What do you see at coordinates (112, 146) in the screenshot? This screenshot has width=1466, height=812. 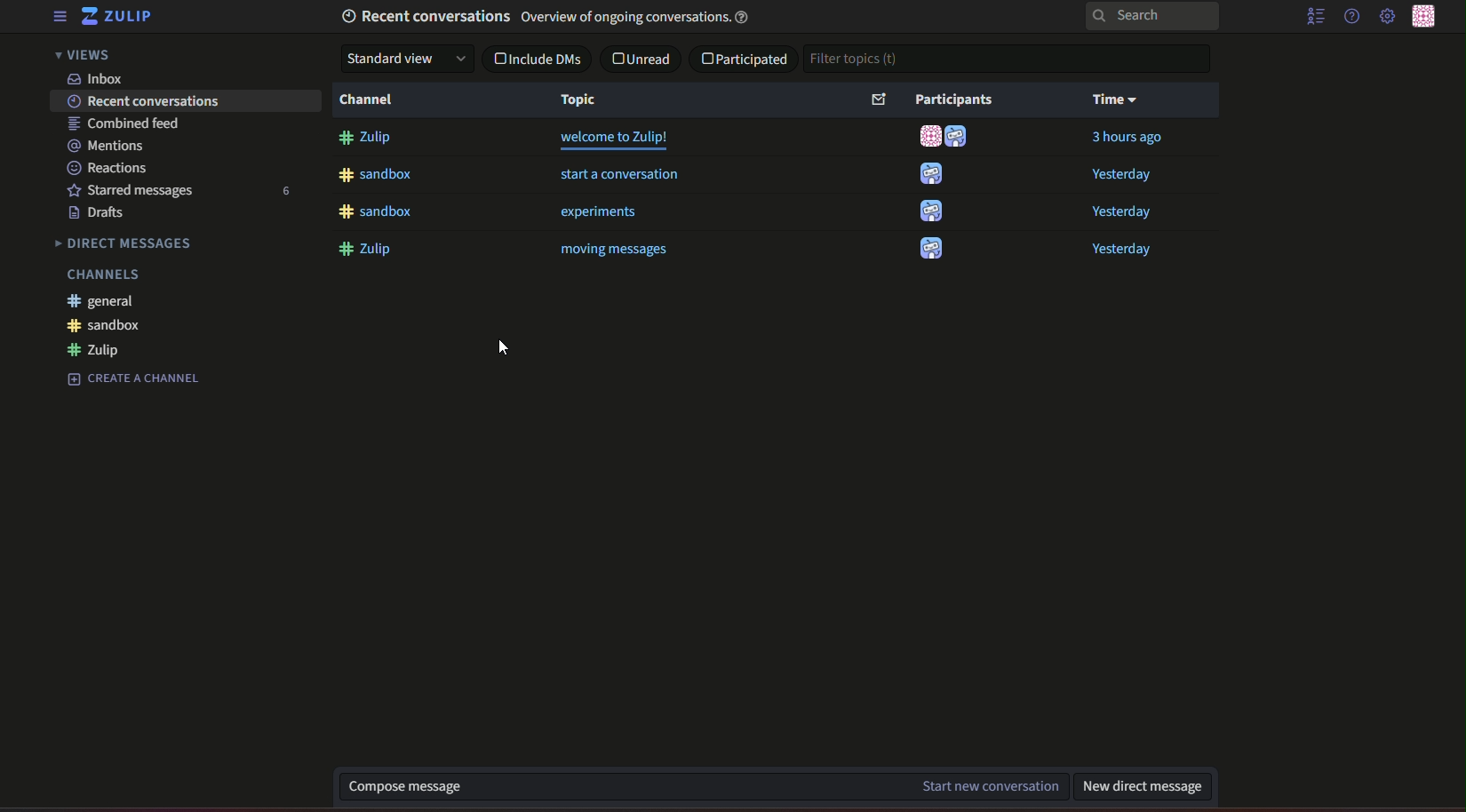 I see `mentions` at bounding box center [112, 146].